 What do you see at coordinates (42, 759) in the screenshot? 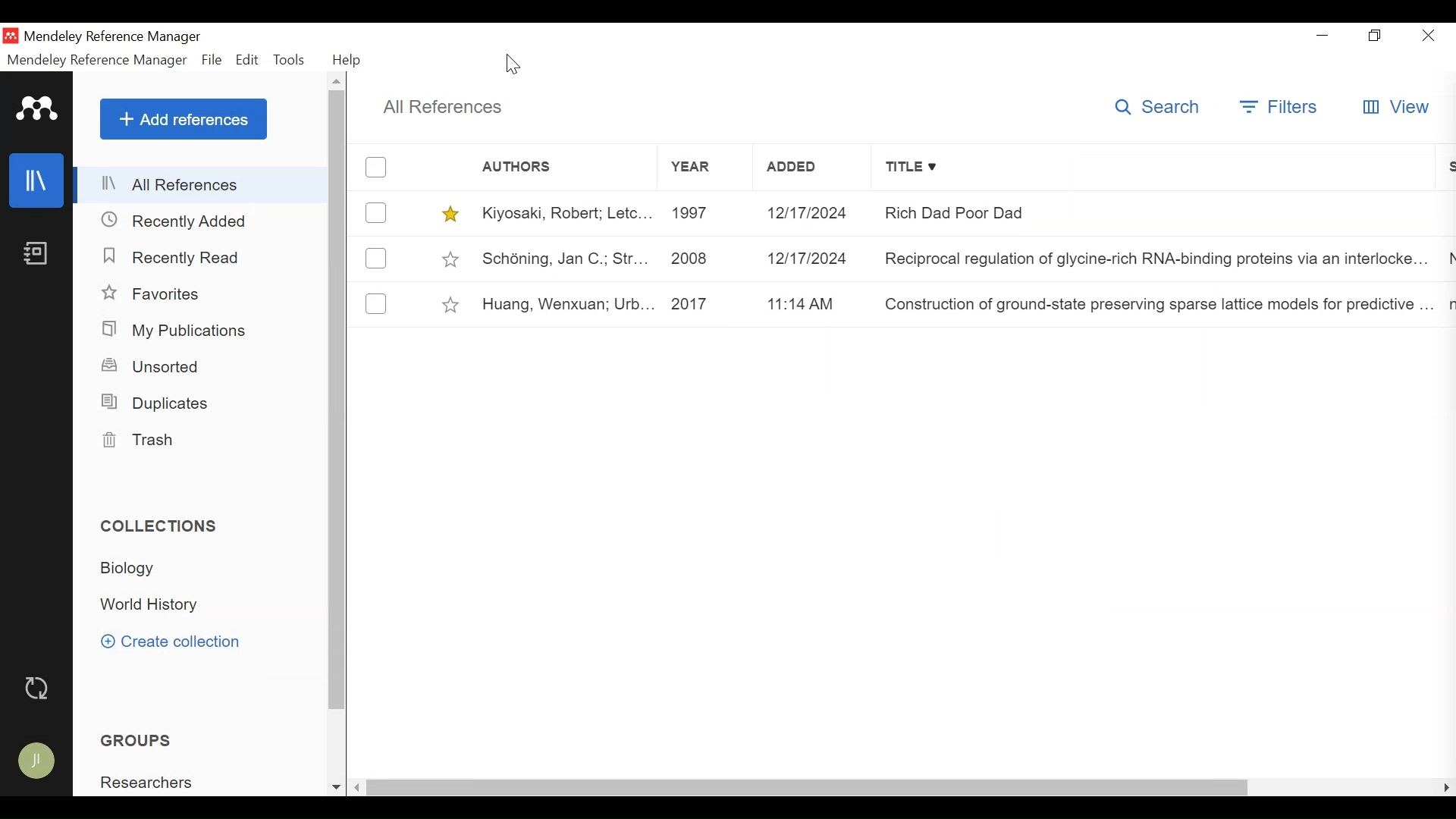
I see `Avatar` at bounding box center [42, 759].